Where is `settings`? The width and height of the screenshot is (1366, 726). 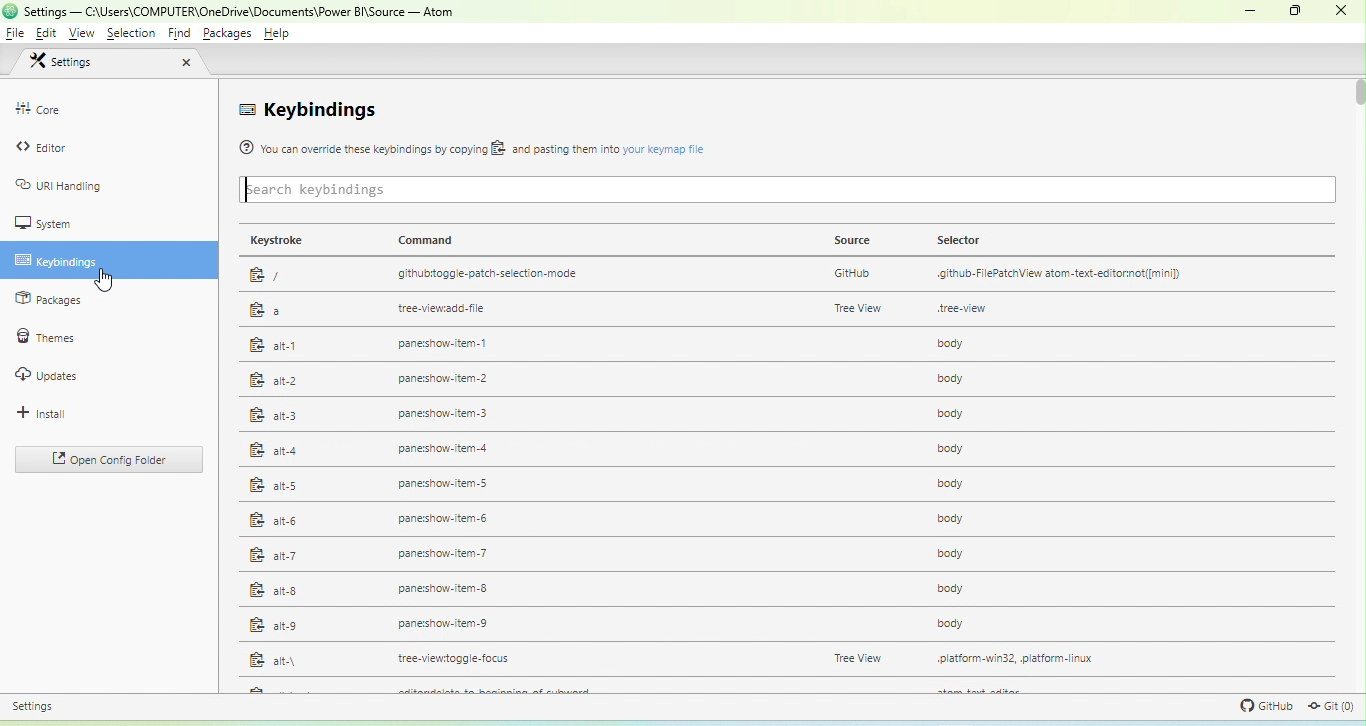
settings is located at coordinates (34, 705).